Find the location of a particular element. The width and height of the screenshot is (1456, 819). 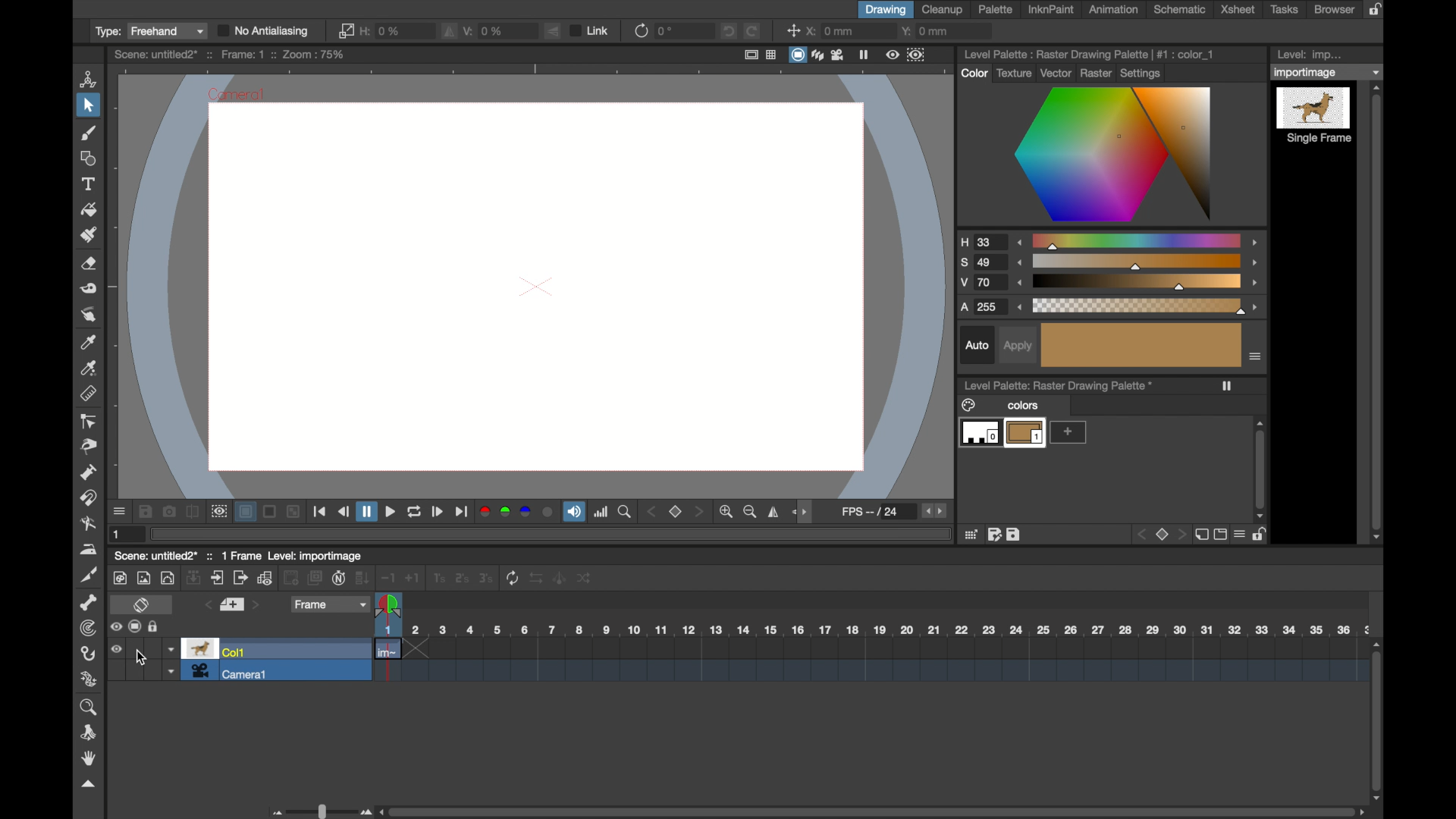

selection tool is located at coordinates (87, 105).